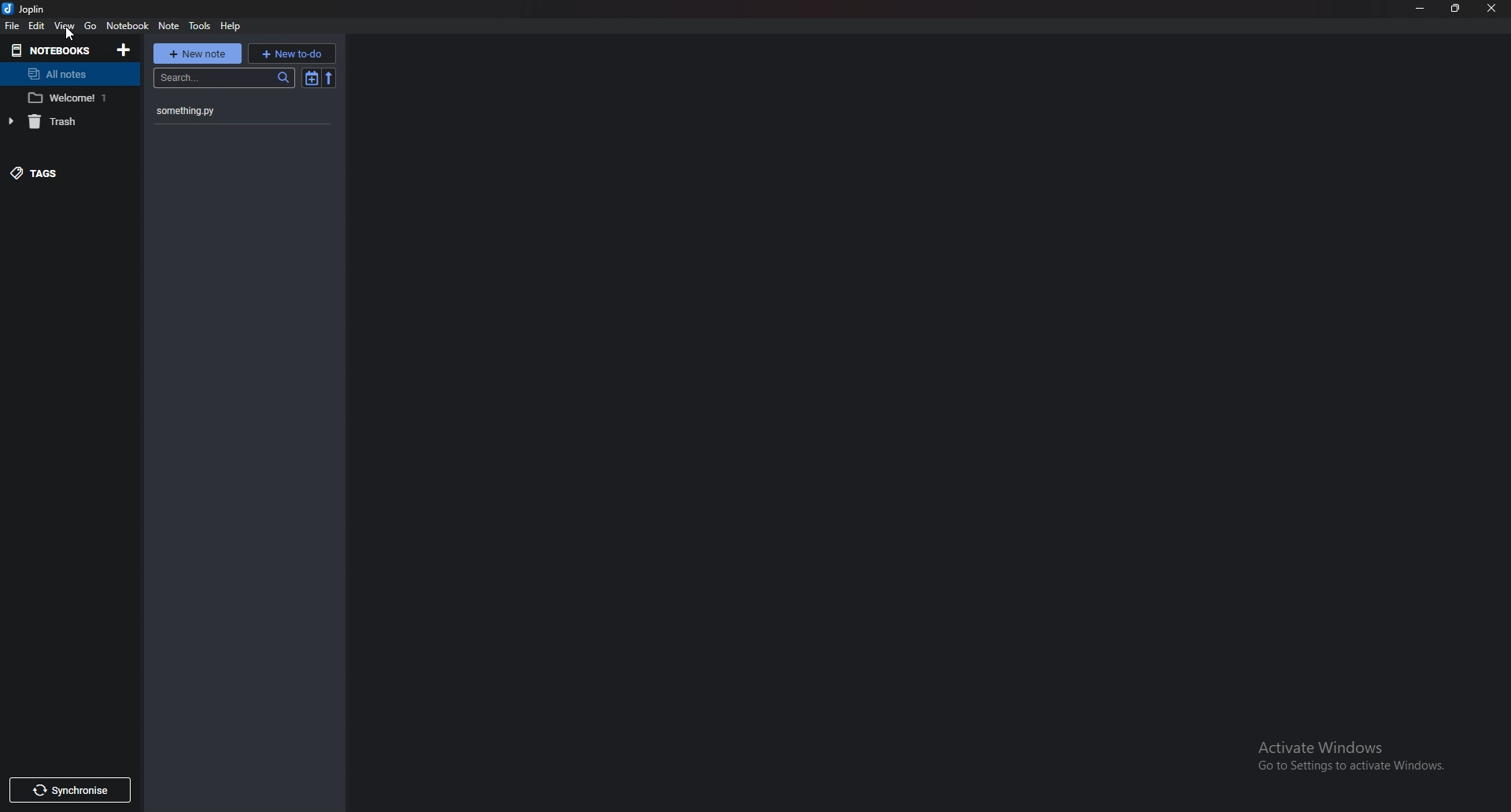 The width and height of the screenshot is (1511, 812). I want to click on Toggle sort order, so click(312, 79).